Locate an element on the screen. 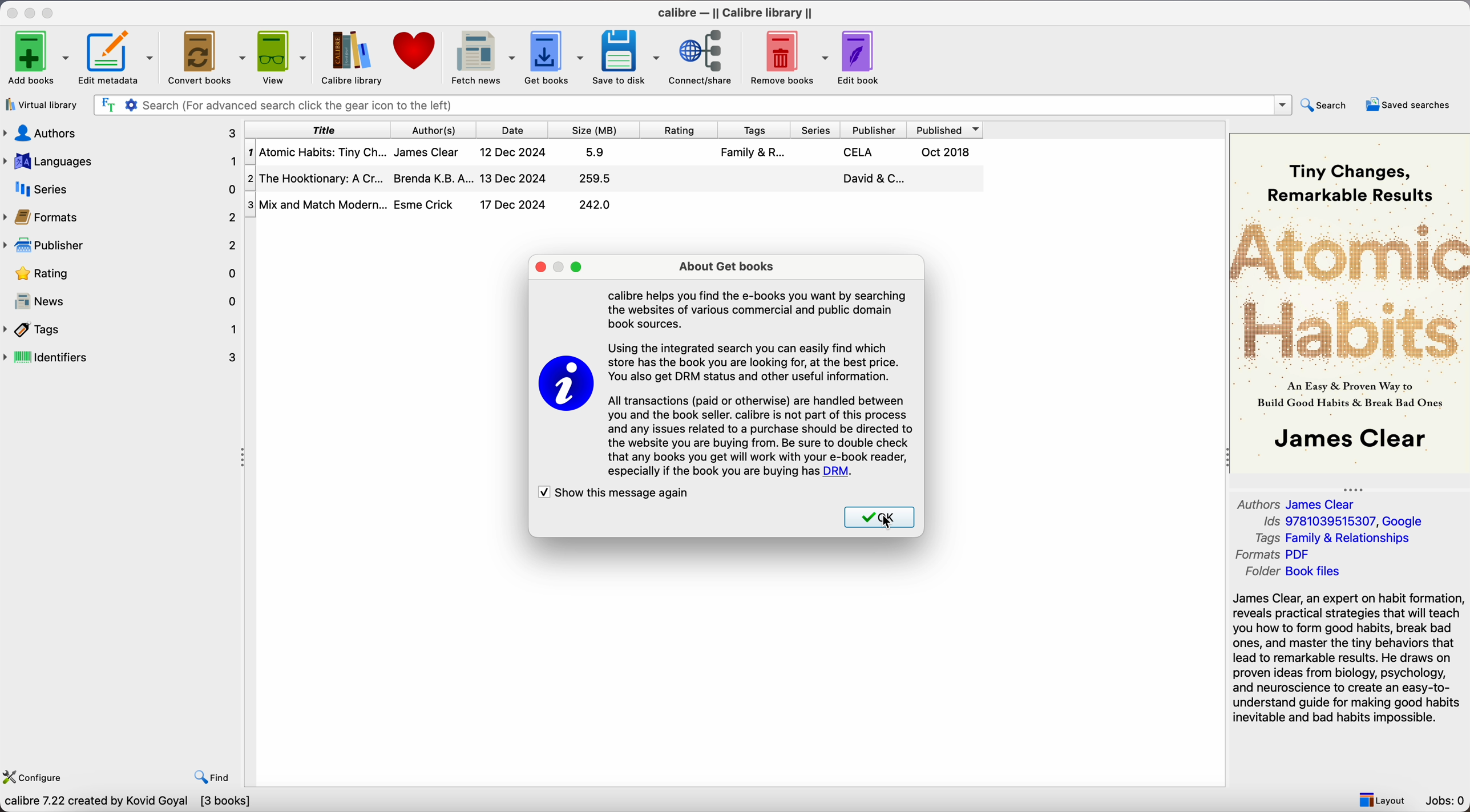  Using the integrated search you can easily find which store has the book you're looking for at the best price, you also get DRM status and other useful information. is located at coordinates (760, 361).